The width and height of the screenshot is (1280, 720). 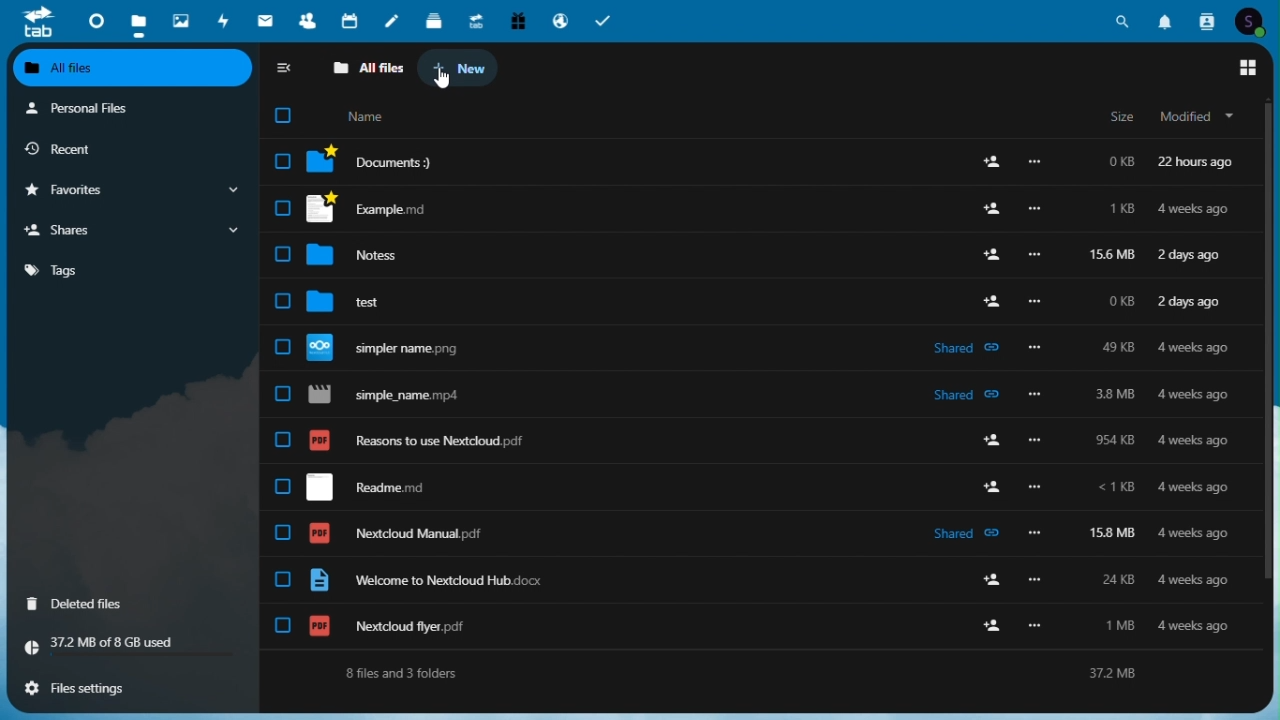 What do you see at coordinates (1250, 20) in the screenshot?
I see `Account icon` at bounding box center [1250, 20].